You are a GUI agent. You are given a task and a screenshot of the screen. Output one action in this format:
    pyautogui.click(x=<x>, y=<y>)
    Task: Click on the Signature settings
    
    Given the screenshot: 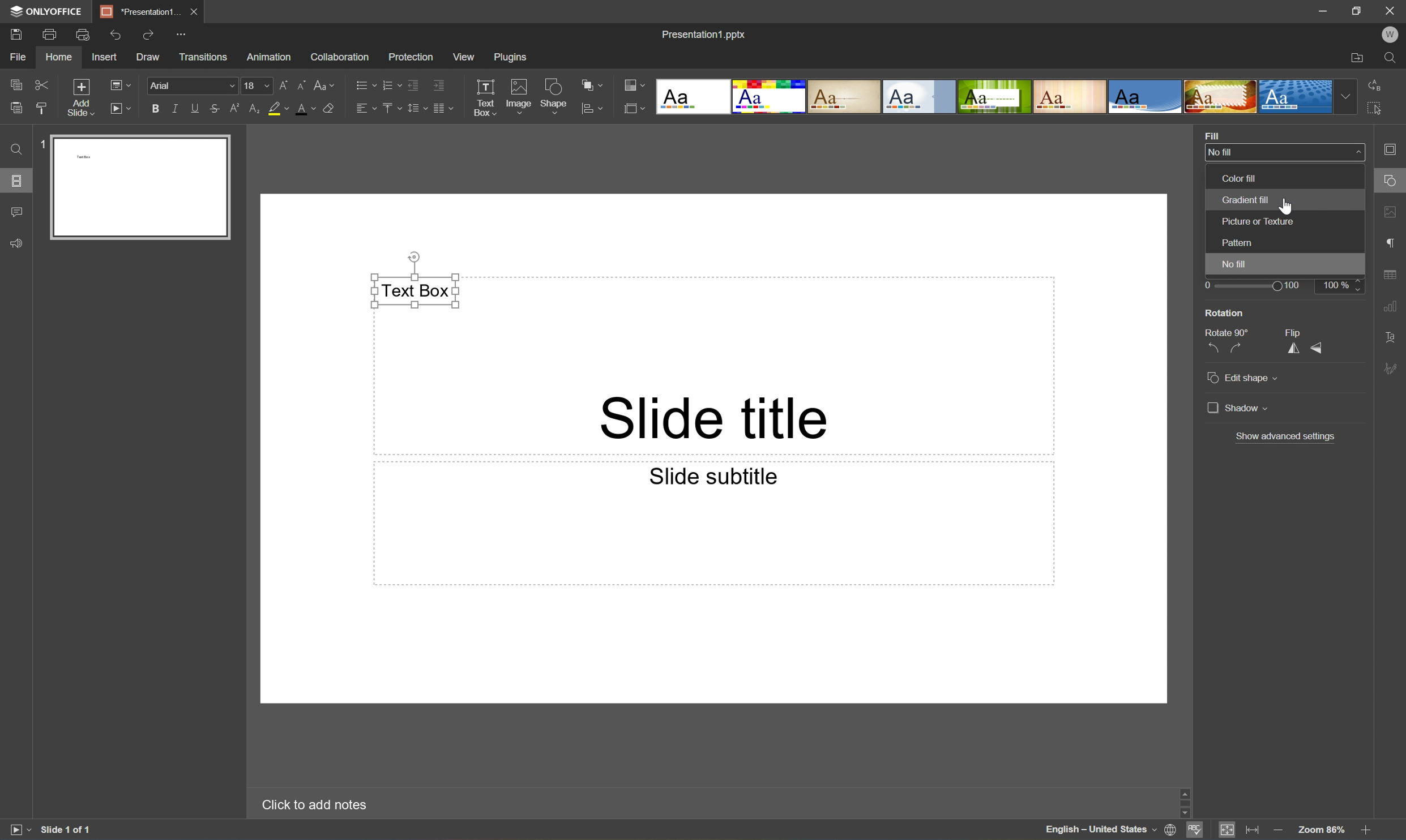 What is the action you would take?
    pyautogui.click(x=1394, y=367)
    